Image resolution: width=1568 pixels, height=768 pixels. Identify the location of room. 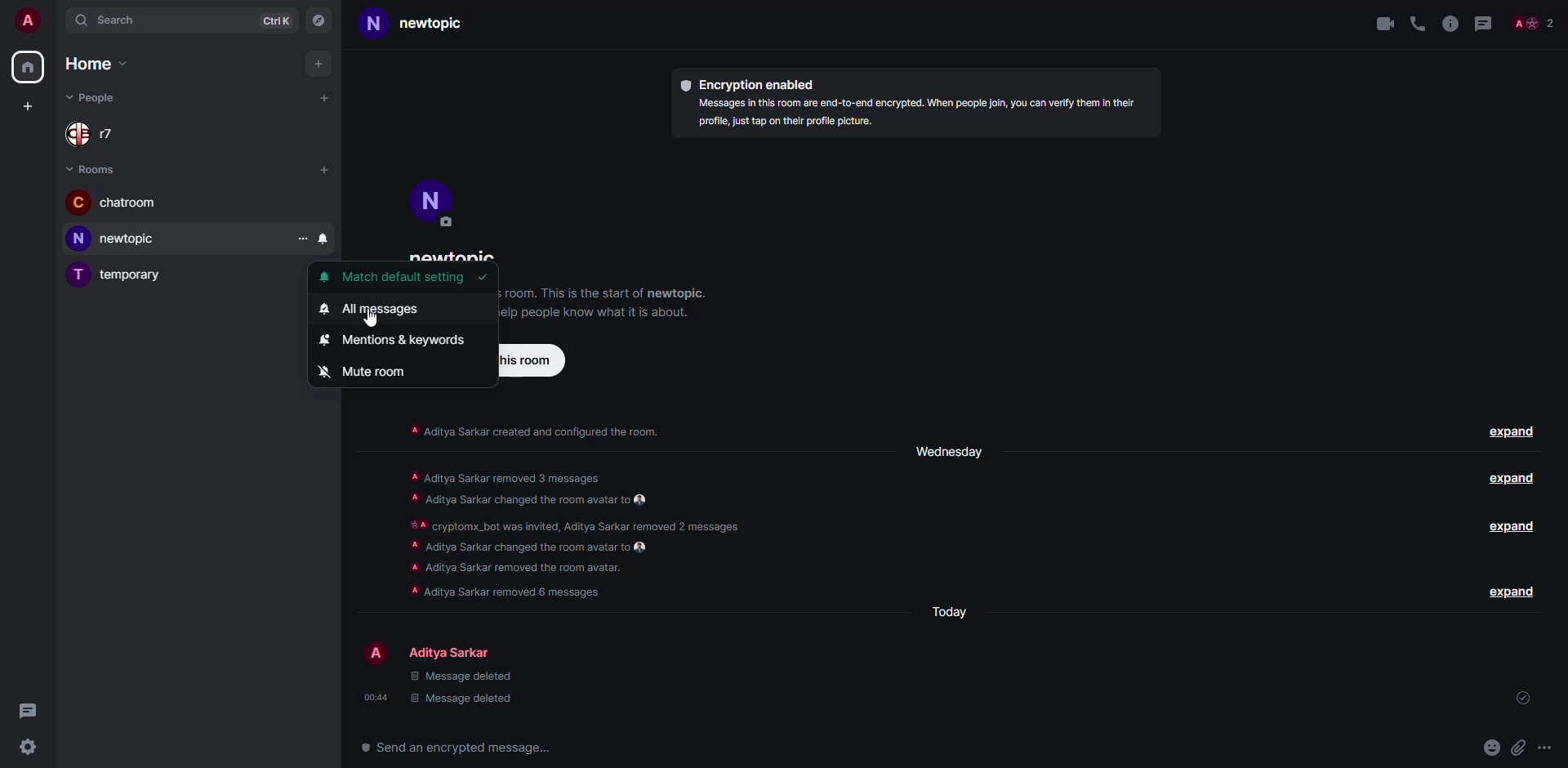
(114, 238).